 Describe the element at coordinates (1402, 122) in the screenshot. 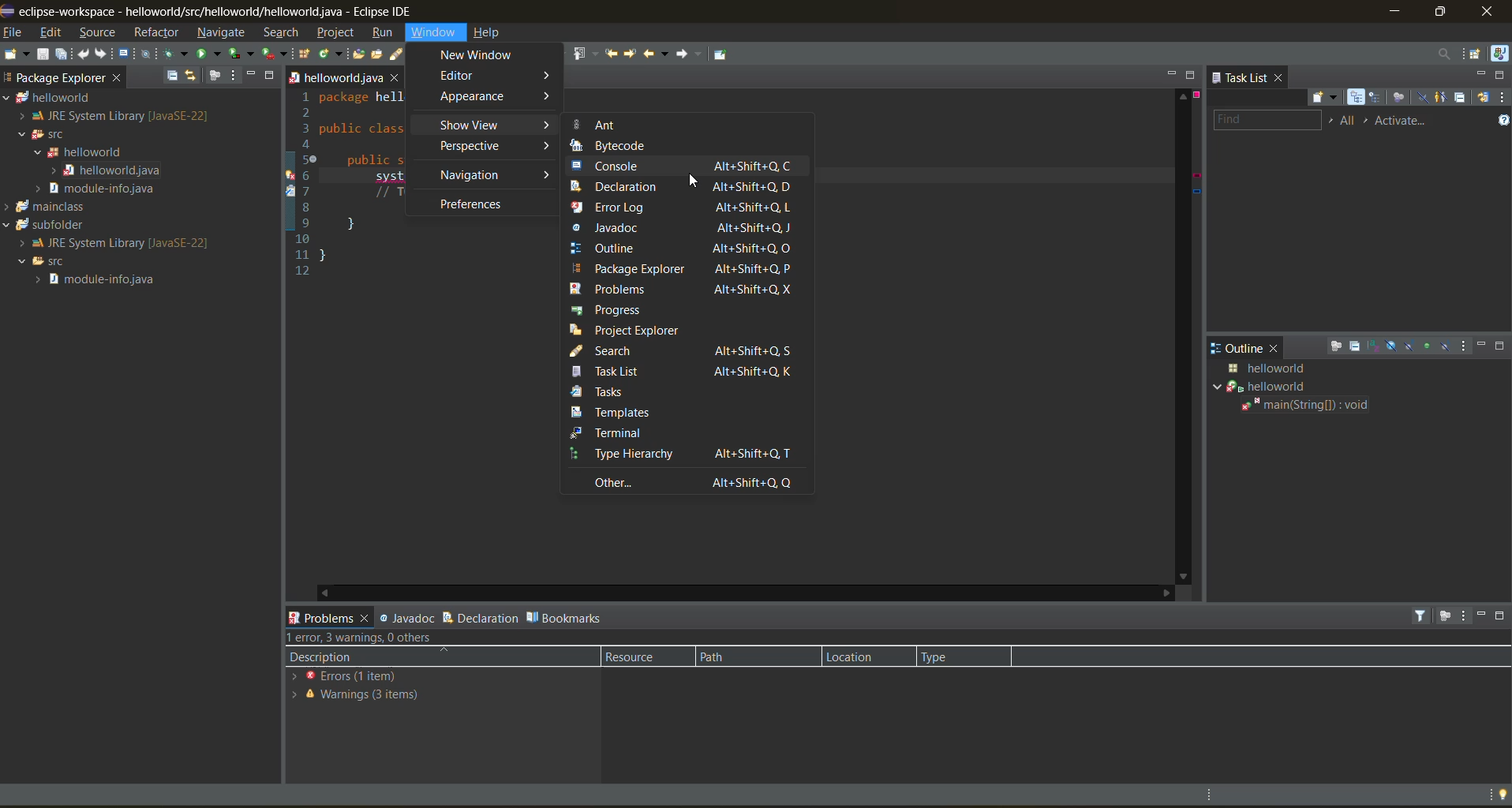

I see `activate` at that location.